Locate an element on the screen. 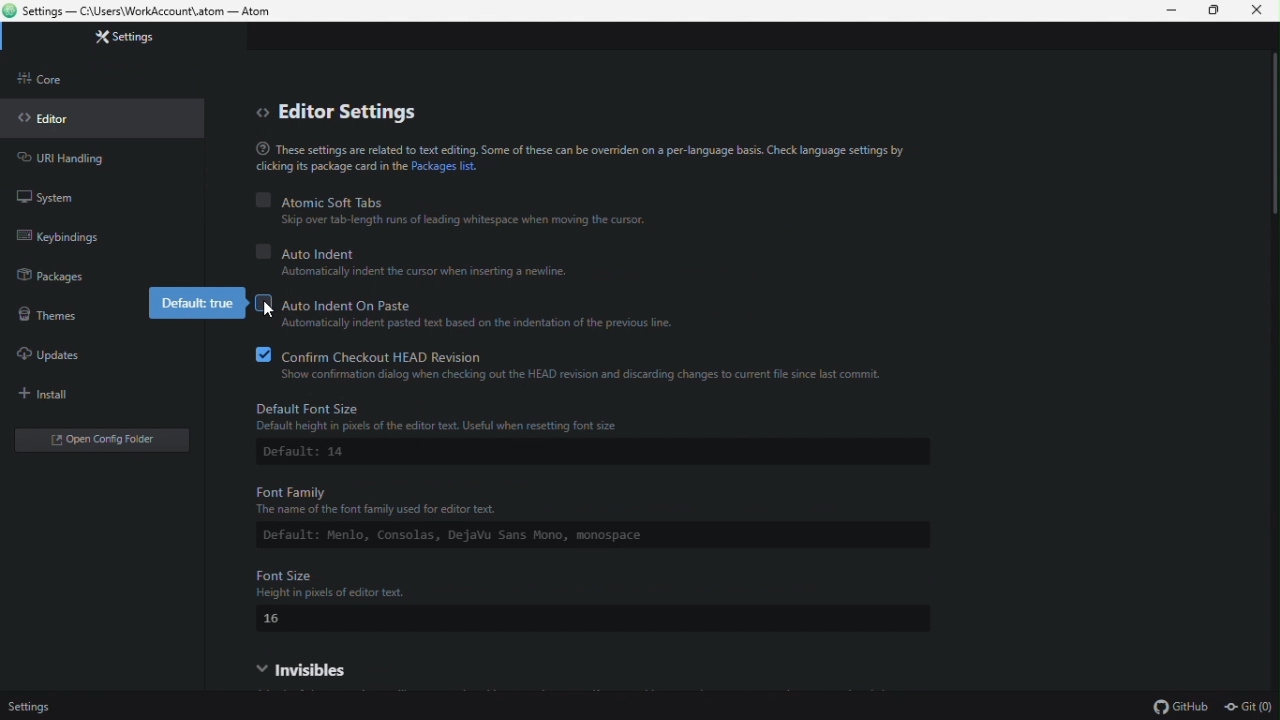  Atomic soft tabs is located at coordinates (453, 200).